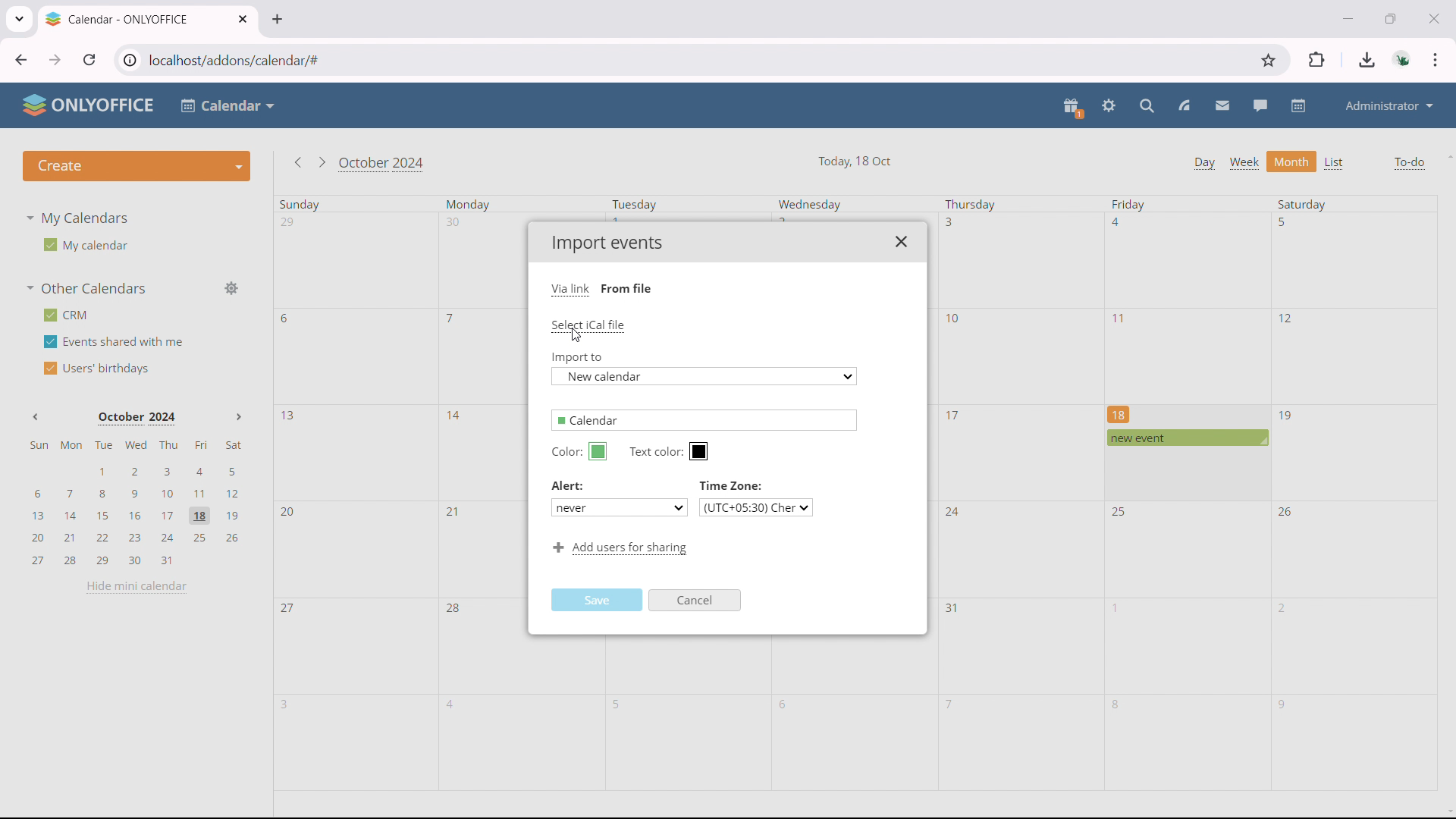 The width and height of the screenshot is (1456, 819). Describe the element at coordinates (87, 289) in the screenshot. I see `other calendars` at that location.